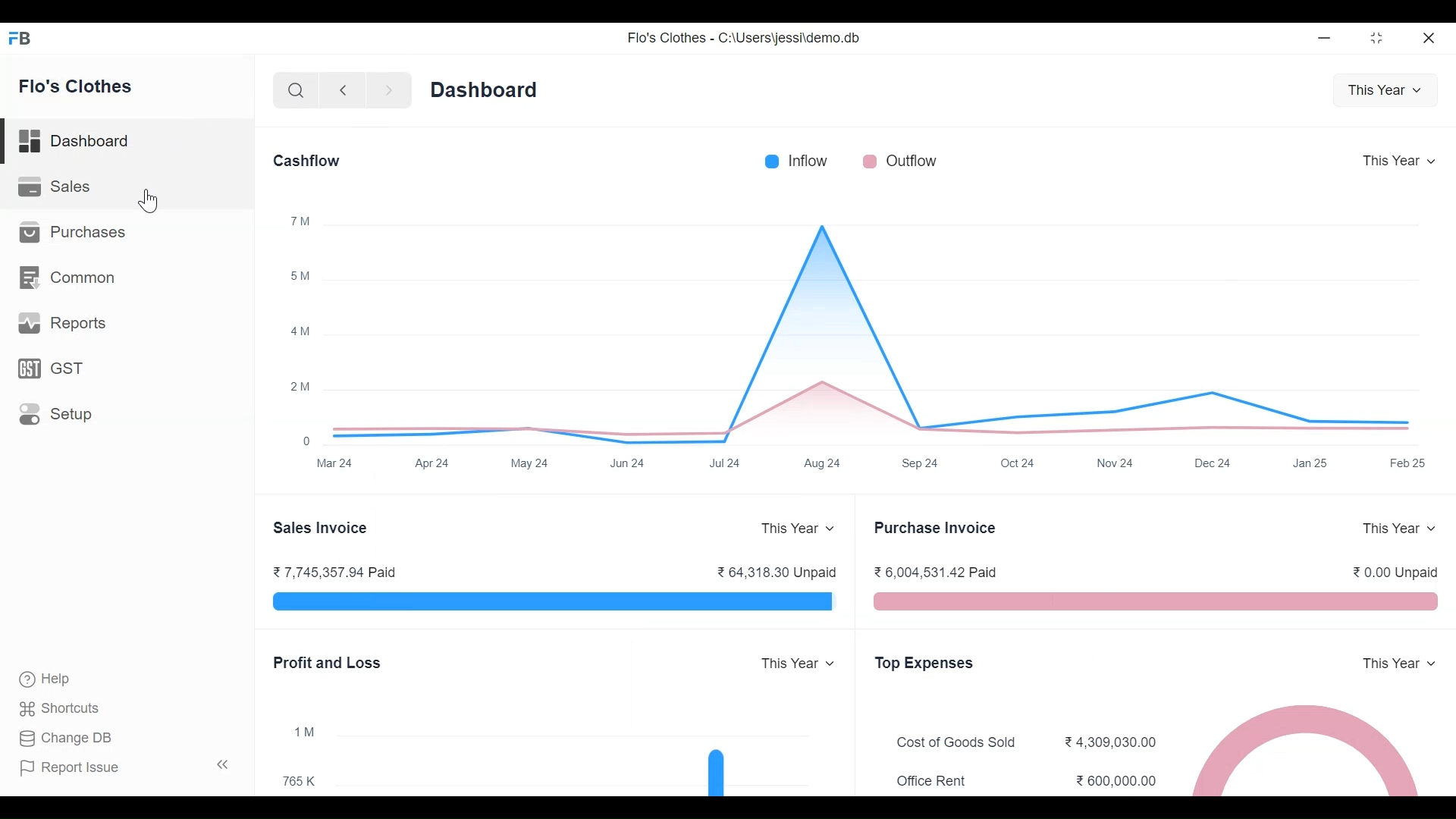 Image resolution: width=1456 pixels, height=819 pixels. I want to click on Sep 24, so click(924, 463).